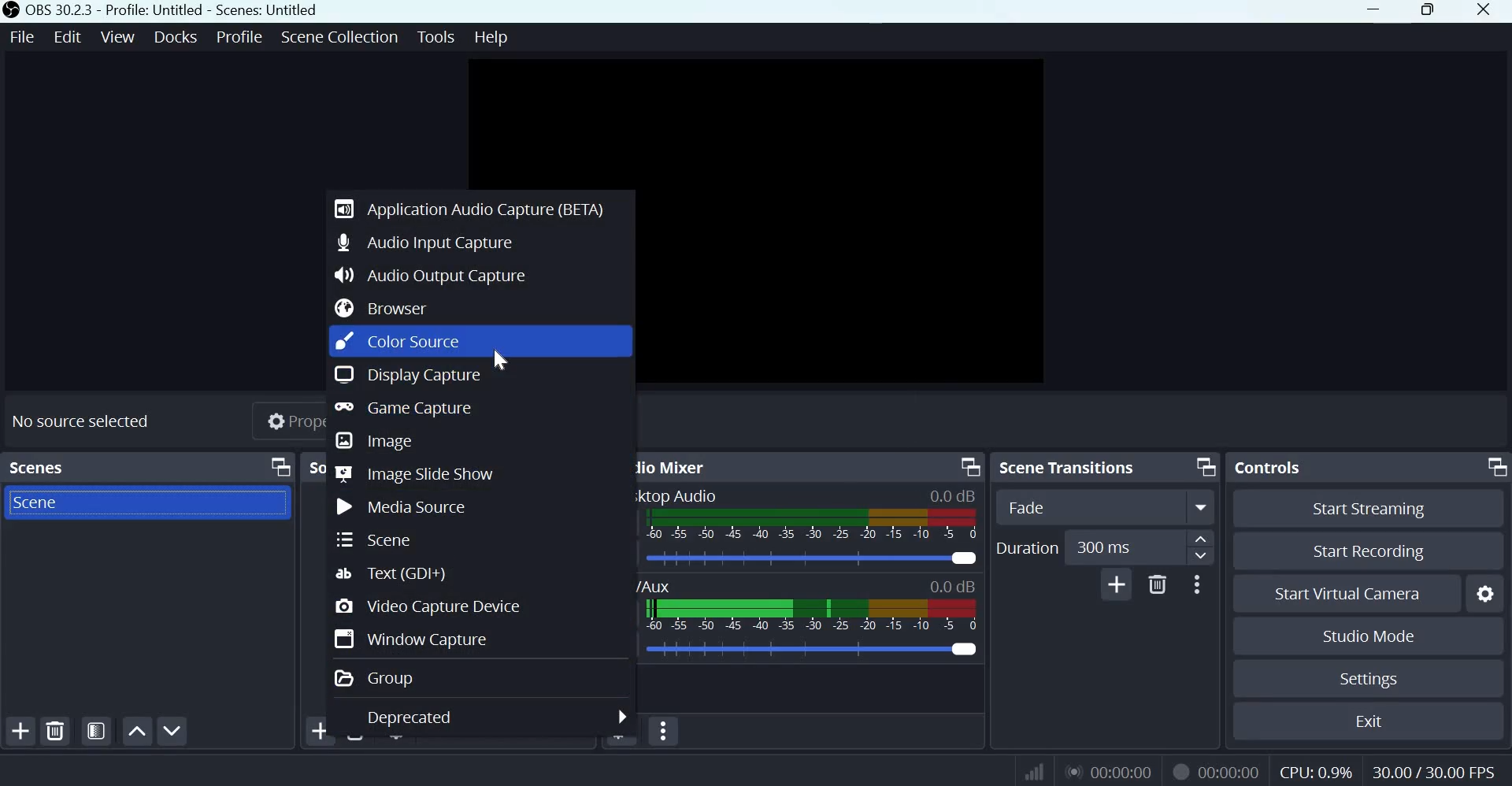 The width and height of the screenshot is (1512, 786). Describe the element at coordinates (69, 35) in the screenshot. I see `Edit` at that location.